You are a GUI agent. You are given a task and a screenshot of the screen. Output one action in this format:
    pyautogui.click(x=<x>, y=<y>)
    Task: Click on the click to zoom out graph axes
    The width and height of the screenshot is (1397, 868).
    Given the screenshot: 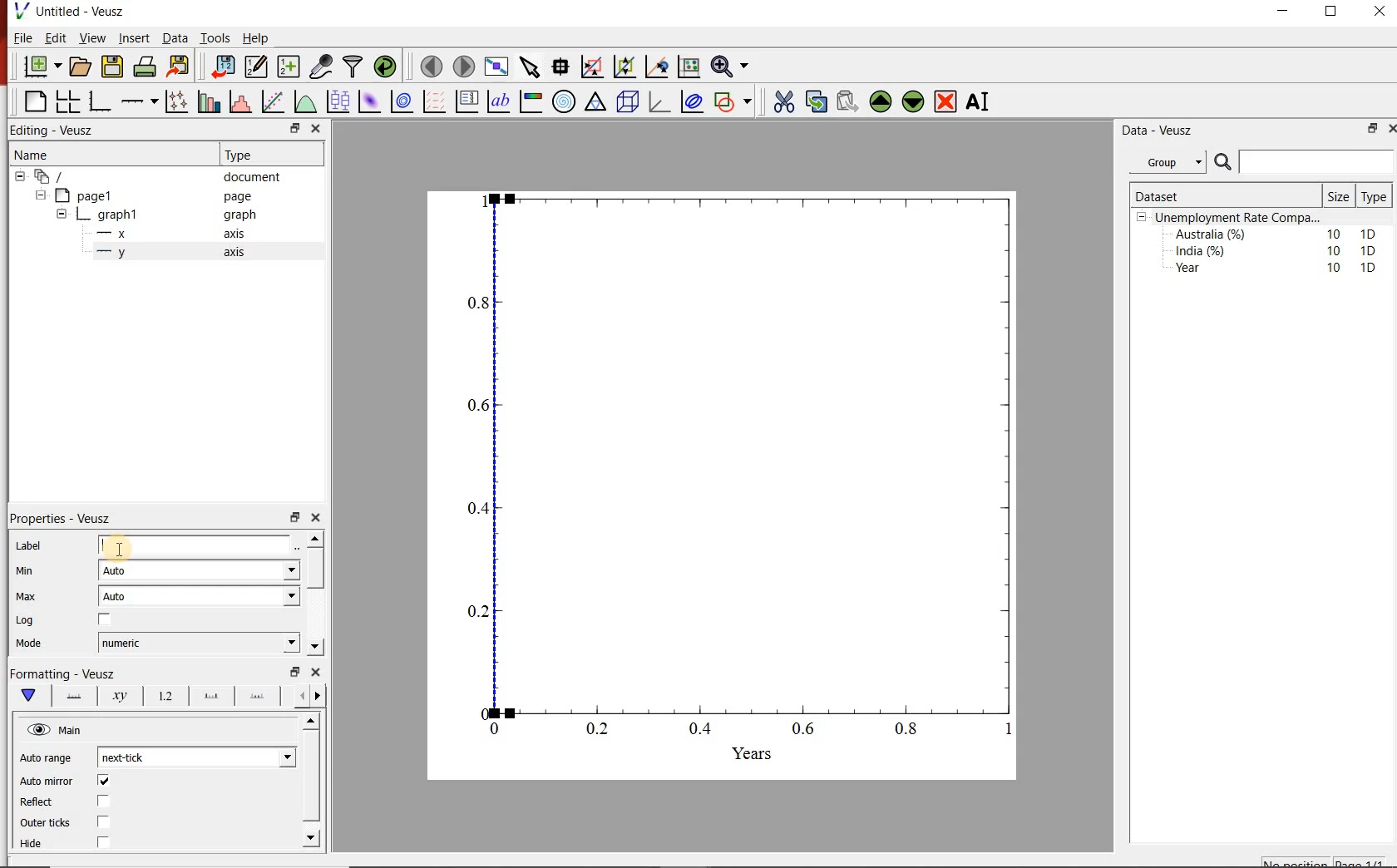 What is the action you would take?
    pyautogui.click(x=625, y=65)
    